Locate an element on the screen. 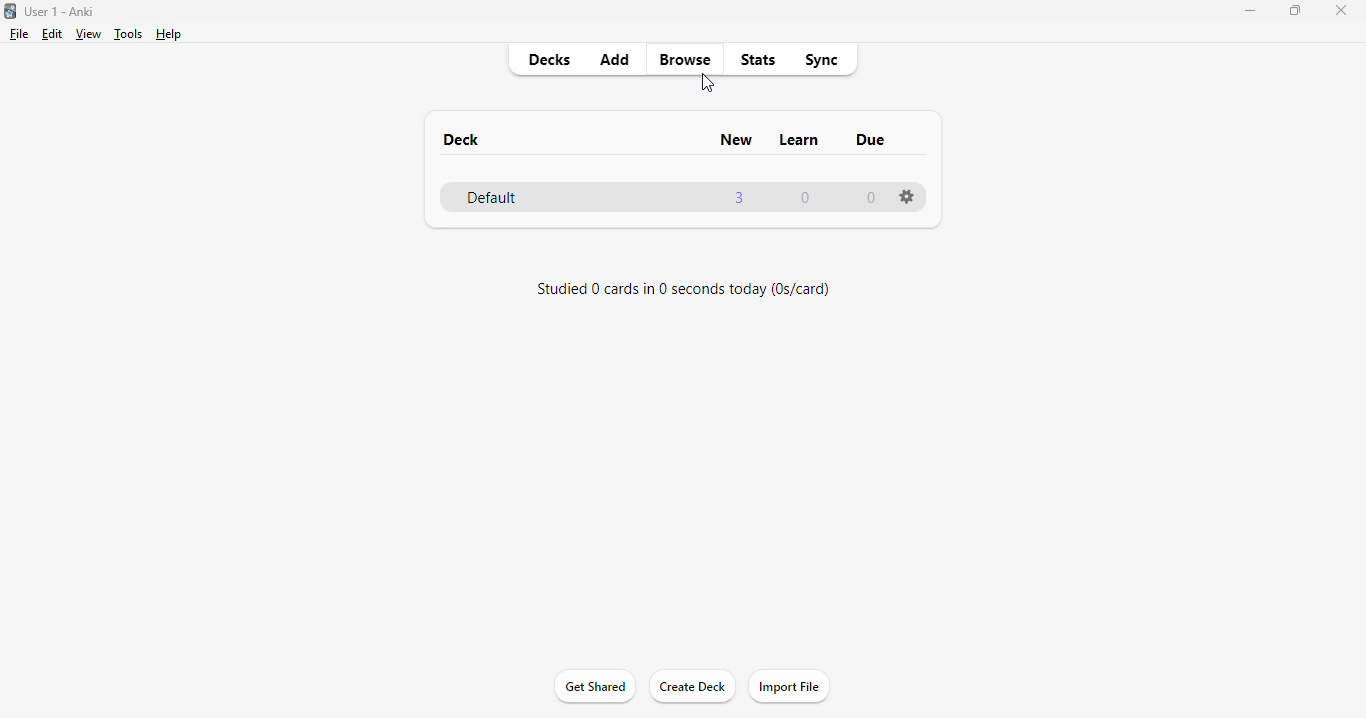 This screenshot has width=1366, height=718. get shared is located at coordinates (596, 686).